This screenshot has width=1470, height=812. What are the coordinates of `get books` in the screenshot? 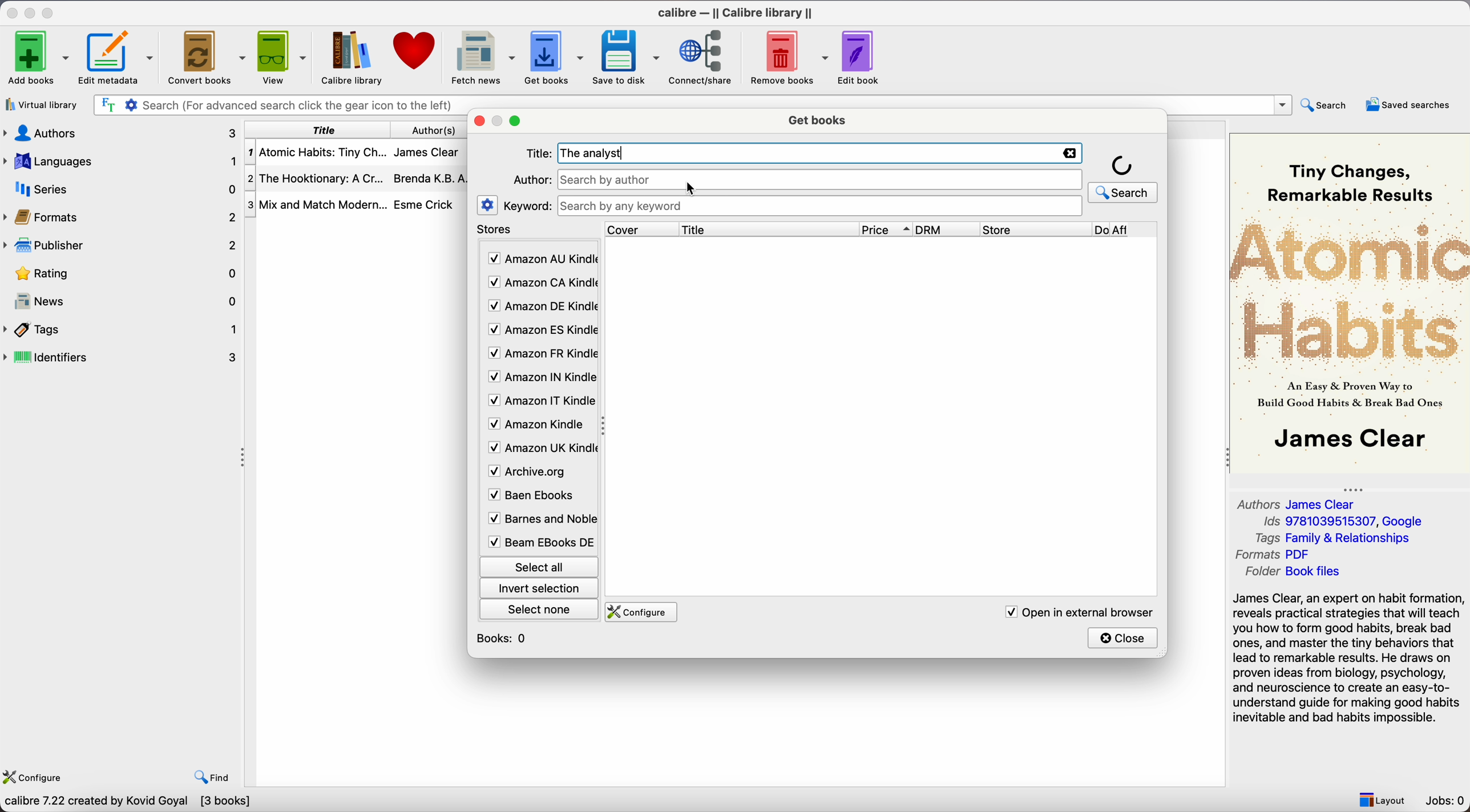 It's located at (817, 121).